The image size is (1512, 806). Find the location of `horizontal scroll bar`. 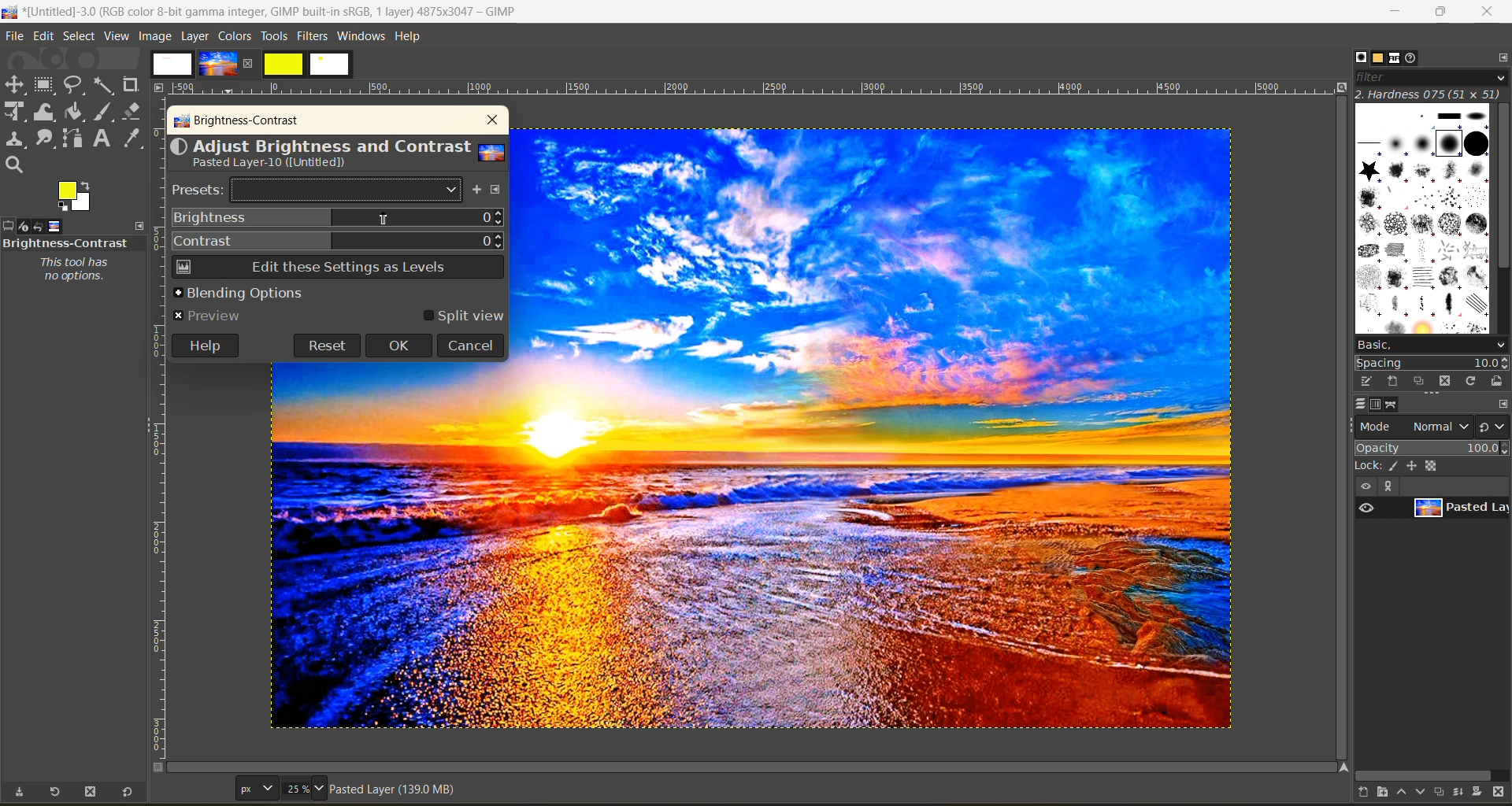

horizontal scroll bar is located at coordinates (1427, 775).